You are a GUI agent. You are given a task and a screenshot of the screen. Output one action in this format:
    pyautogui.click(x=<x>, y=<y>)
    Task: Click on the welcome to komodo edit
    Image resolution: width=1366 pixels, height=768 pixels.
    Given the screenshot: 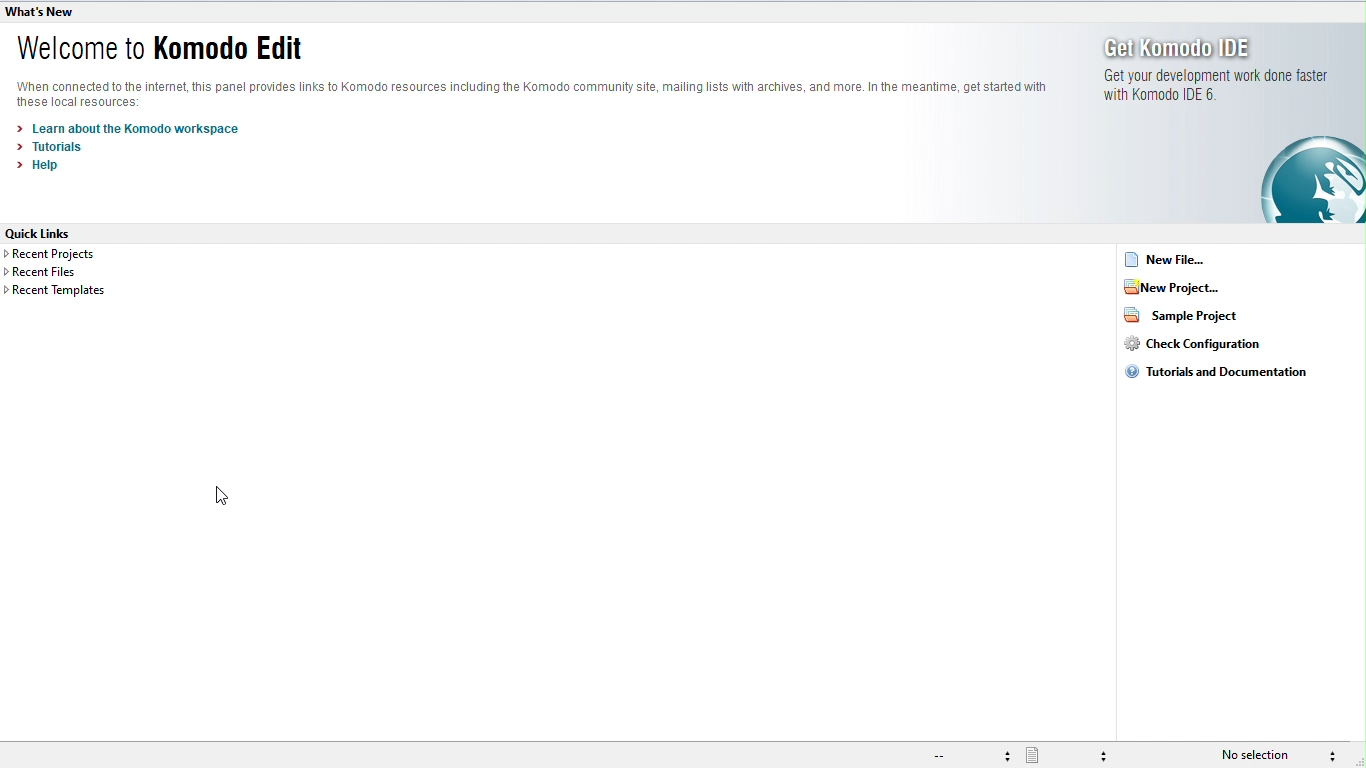 What is the action you would take?
    pyautogui.click(x=168, y=48)
    